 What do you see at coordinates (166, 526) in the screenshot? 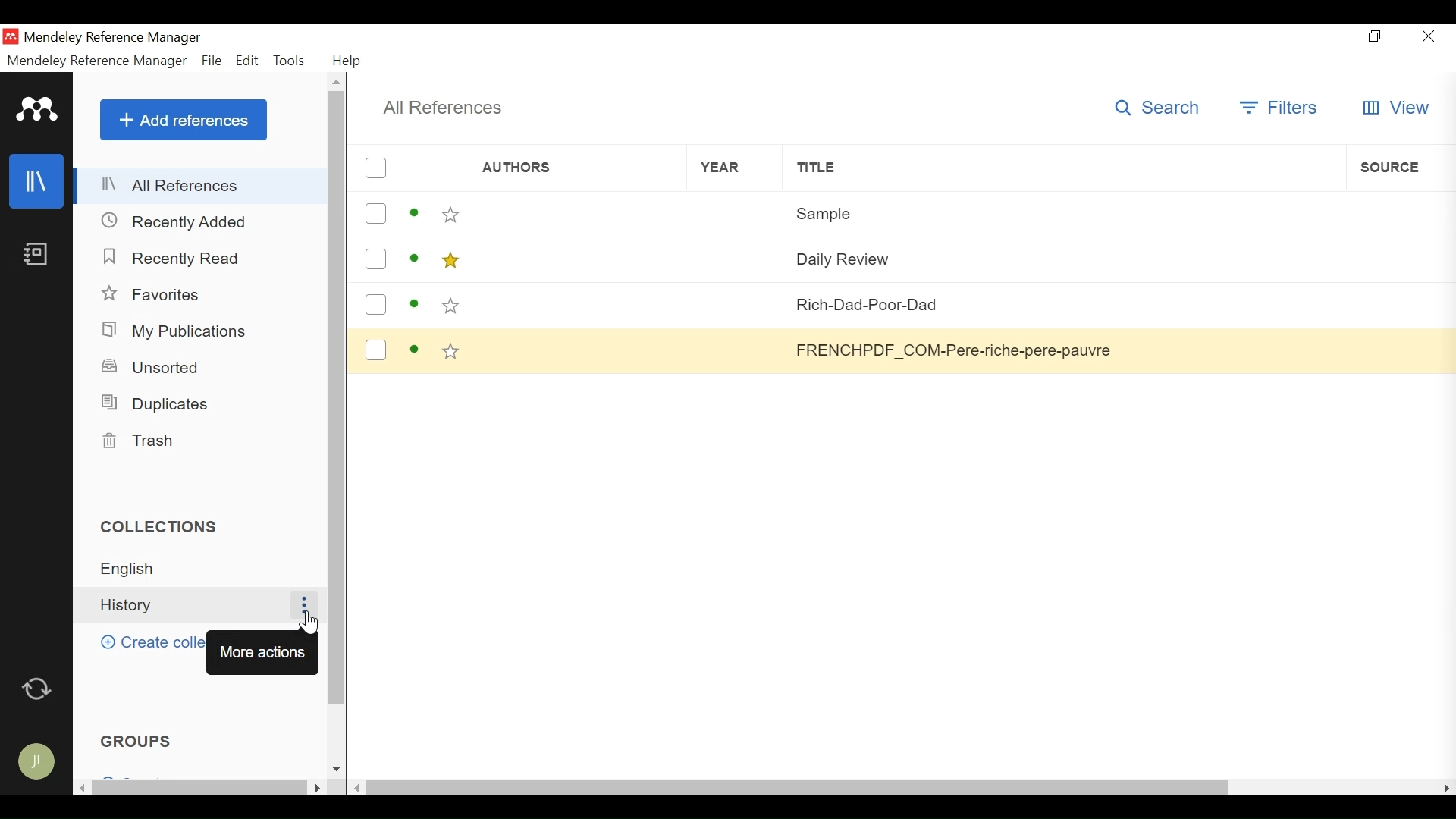
I see `Collections` at bounding box center [166, 526].